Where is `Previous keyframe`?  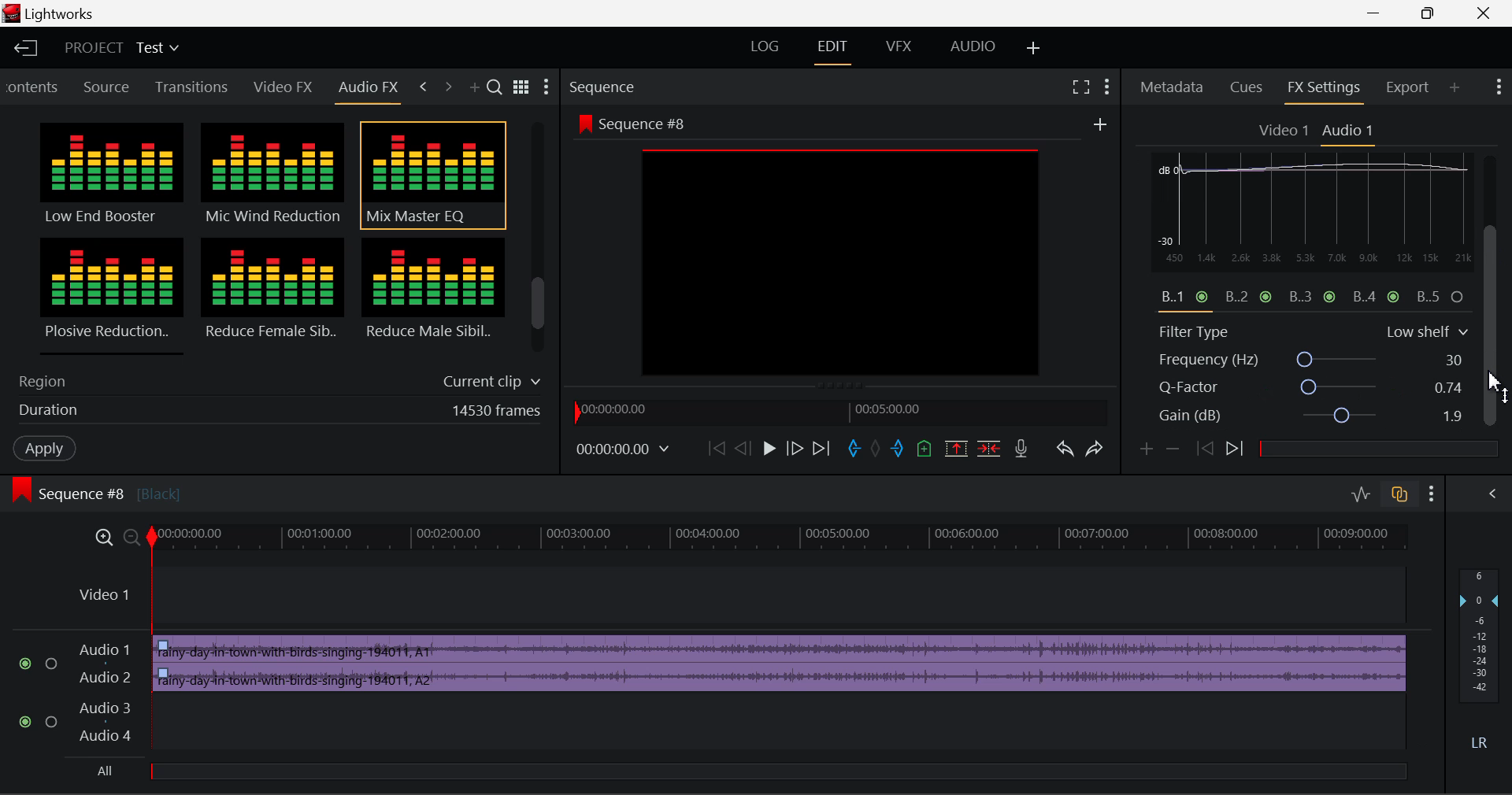 Previous keyframe is located at coordinates (1208, 449).